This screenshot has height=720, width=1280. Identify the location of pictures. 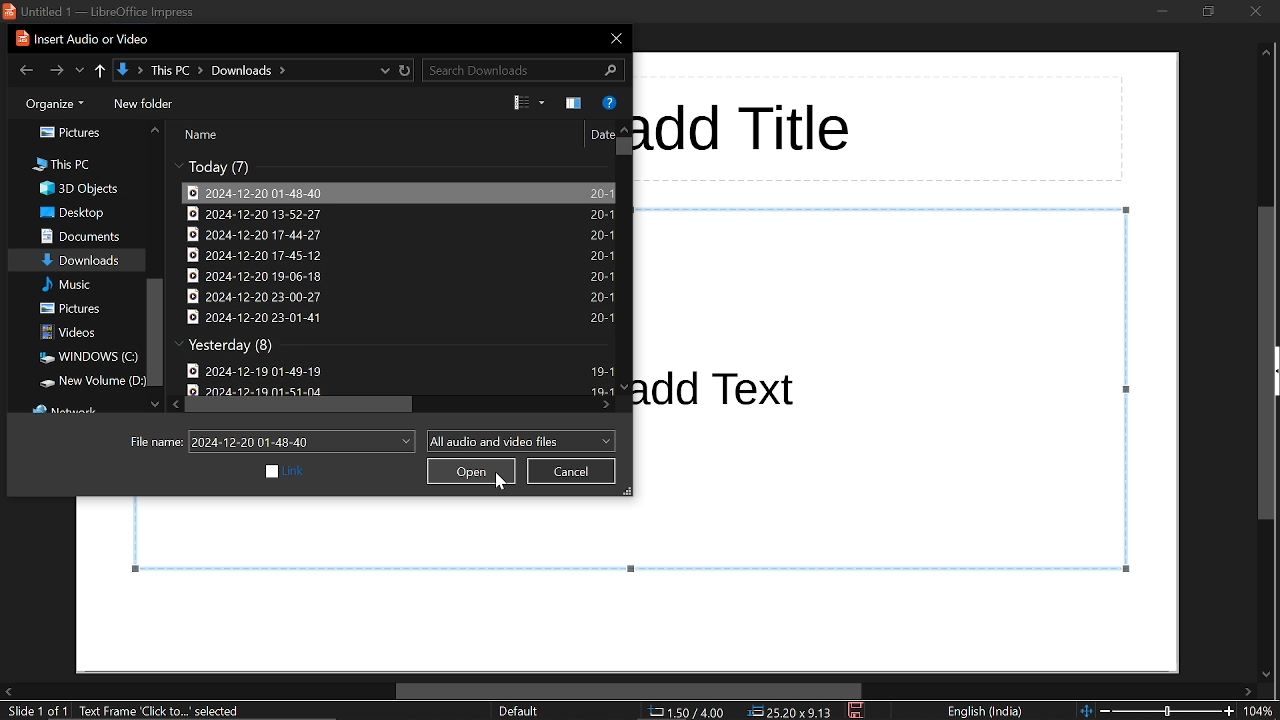
(83, 309).